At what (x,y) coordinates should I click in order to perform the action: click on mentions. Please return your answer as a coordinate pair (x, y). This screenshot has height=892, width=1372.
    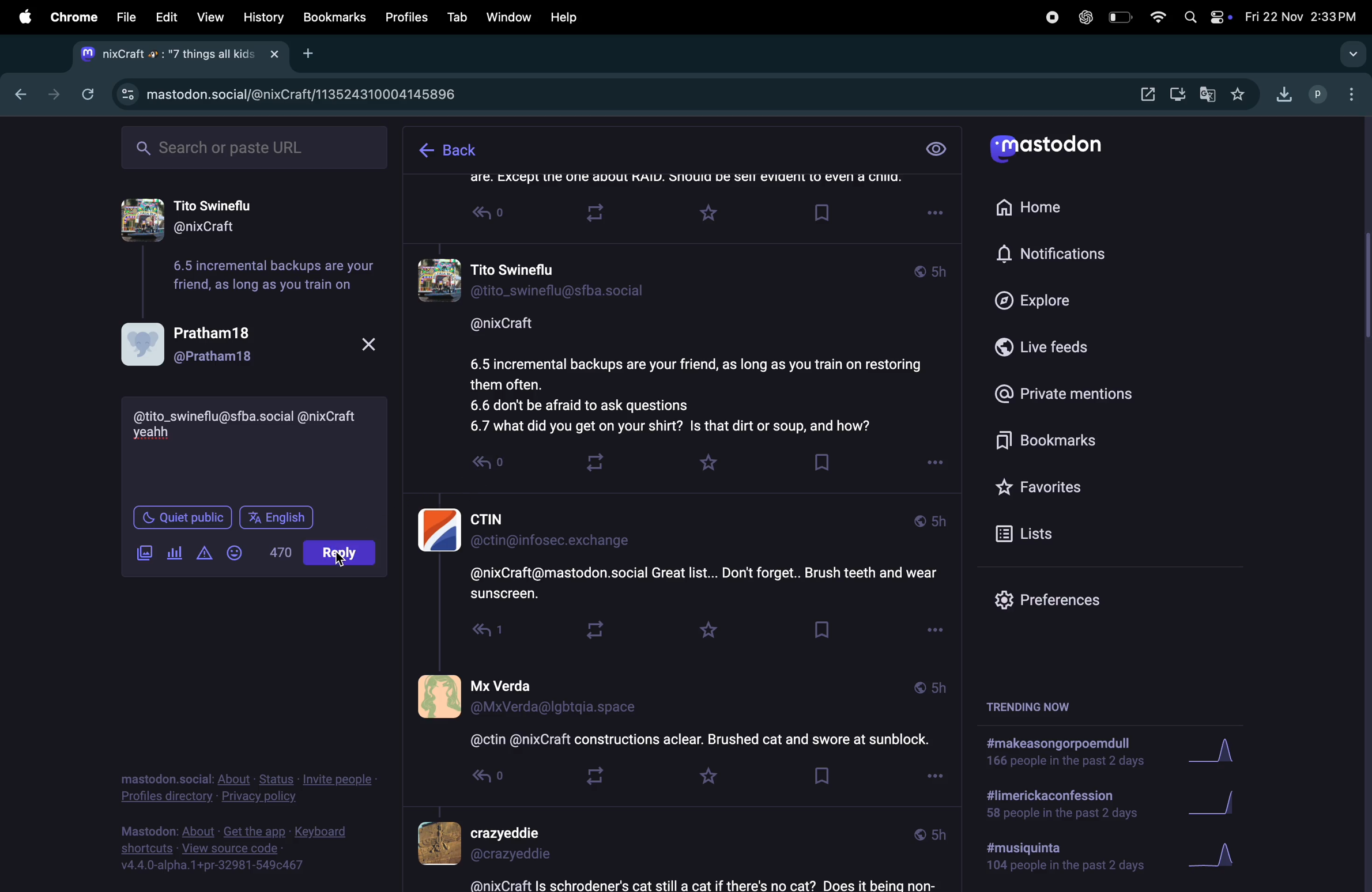
    Looking at the image, I should click on (254, 417).